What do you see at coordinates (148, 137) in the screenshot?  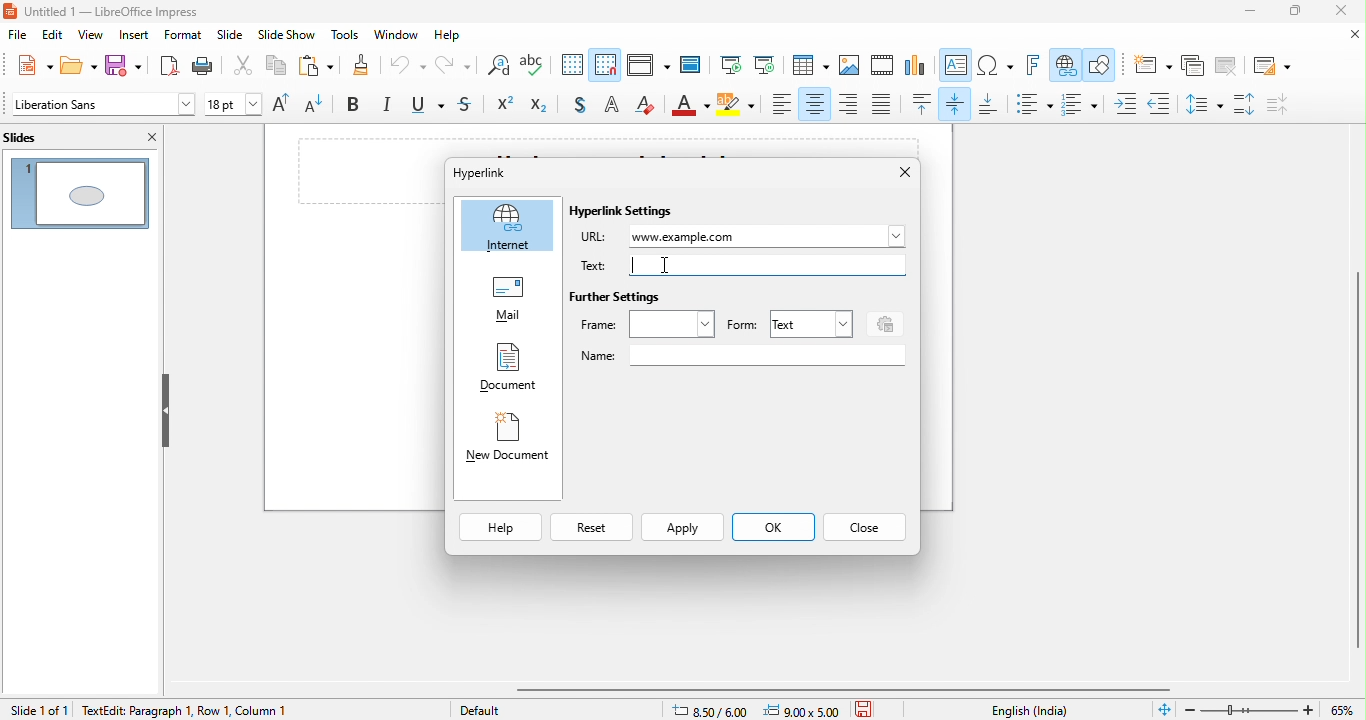 I see `close` at bounding box center [148, 137].